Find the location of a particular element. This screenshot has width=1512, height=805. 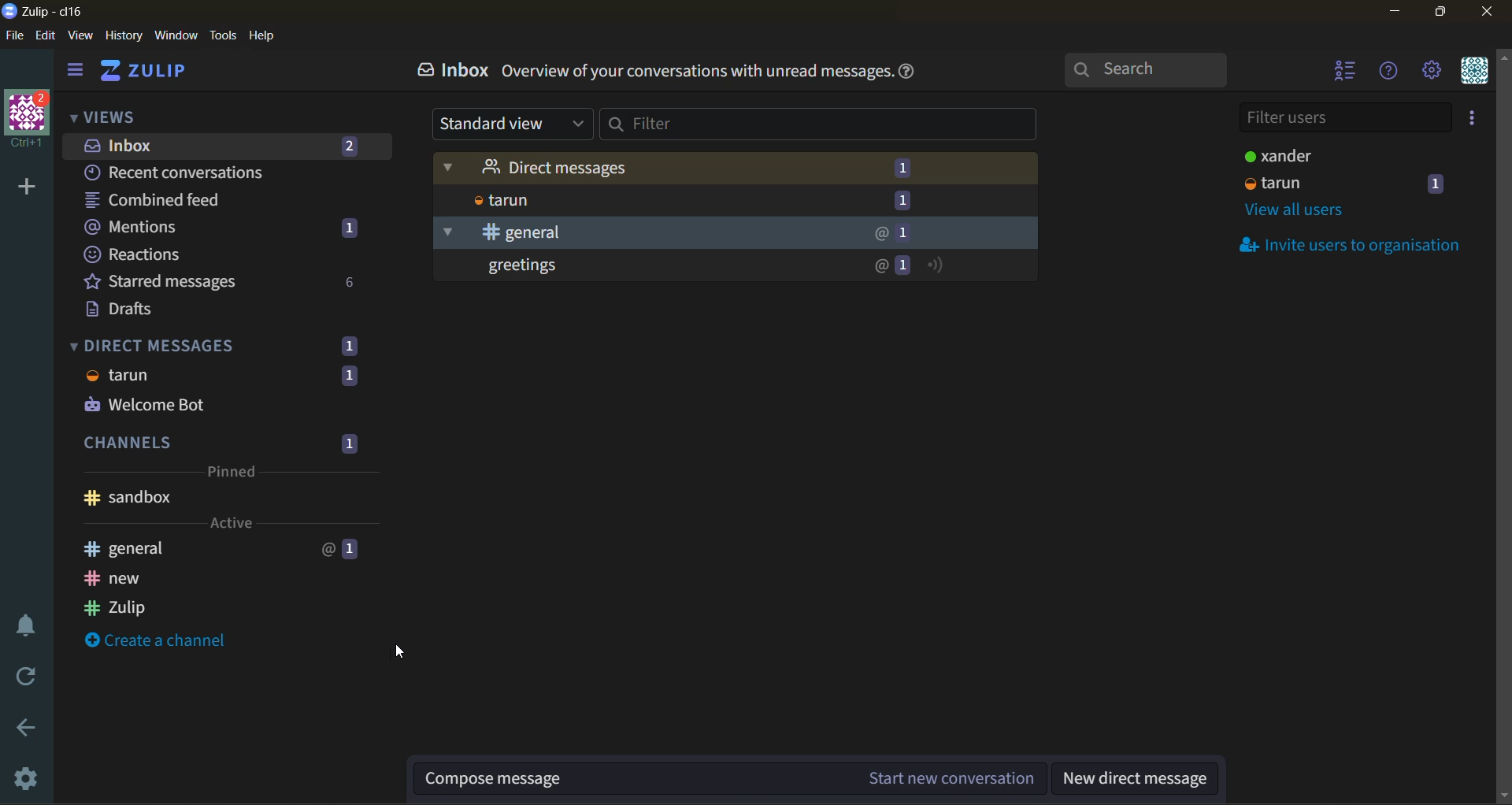

Mouse Cursor is located at coordinates (406, 652).